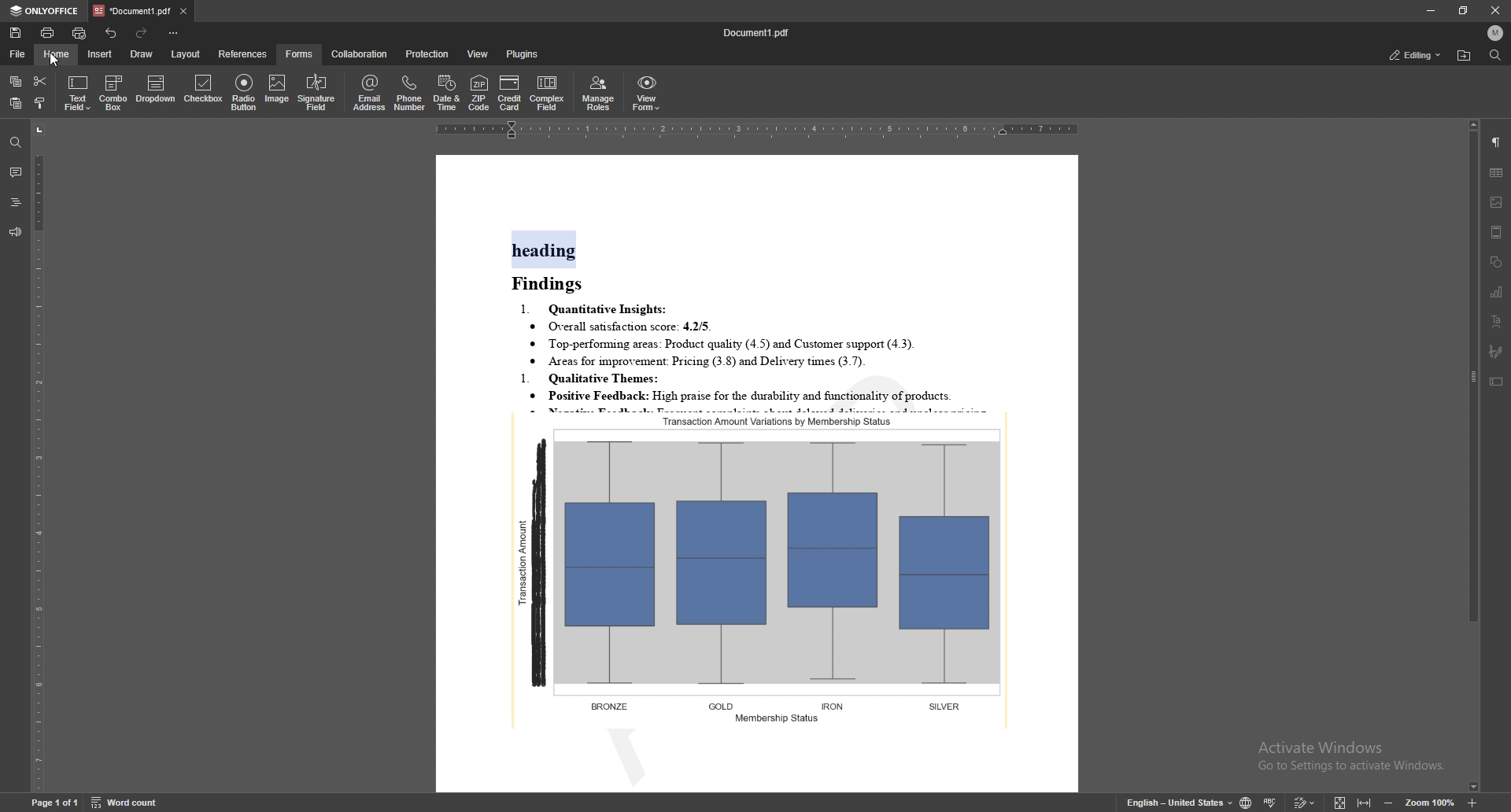 The height and width of the screenshot is (812, 1511). What do you see at coordinates (1496, 142) in the screenshot?
I see `paragraph` at bounding box center [1496, 142].